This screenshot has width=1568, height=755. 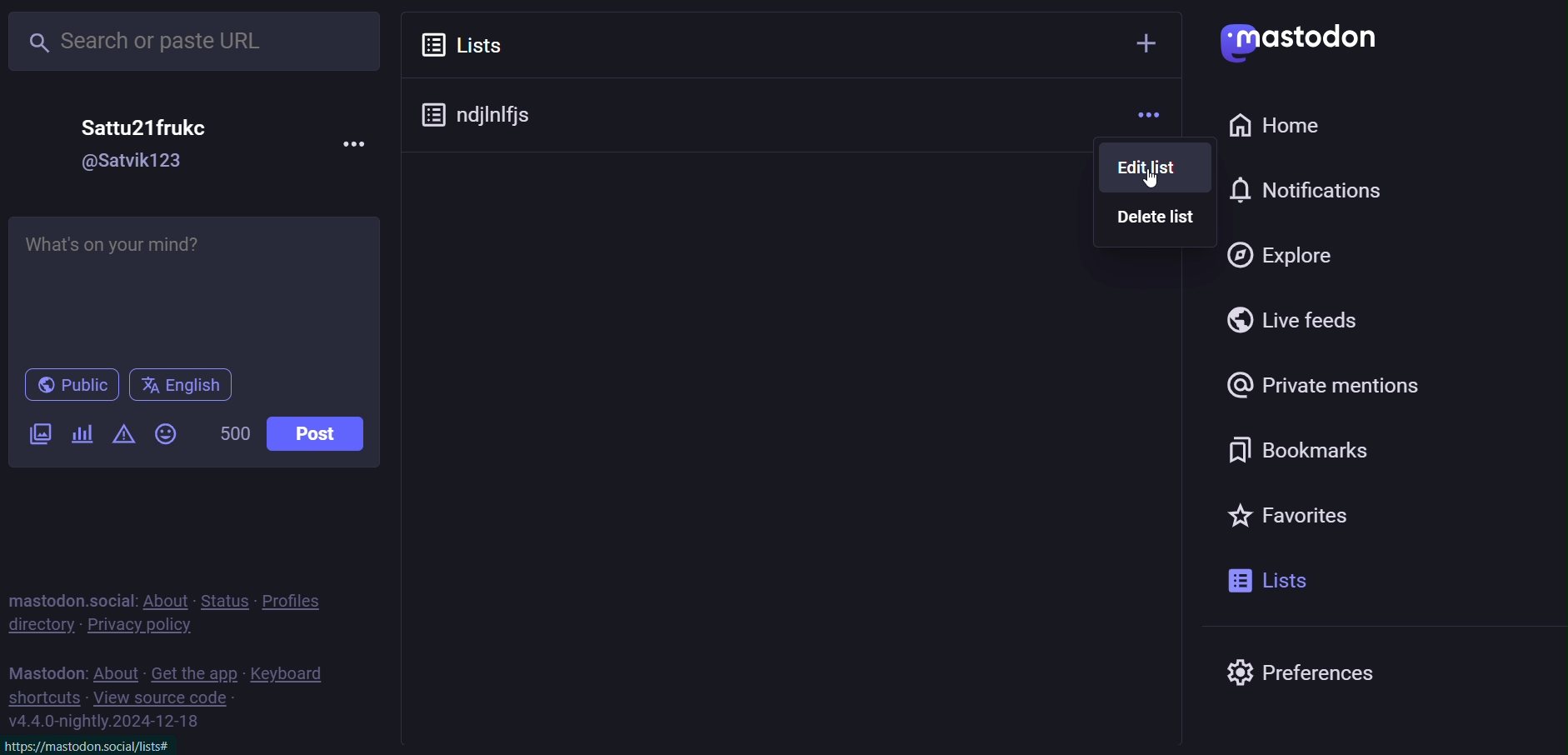 What do you see at coordinates (1291, 320) in the screenshot?
I see `live feed` at bounding box center [1291, 320].